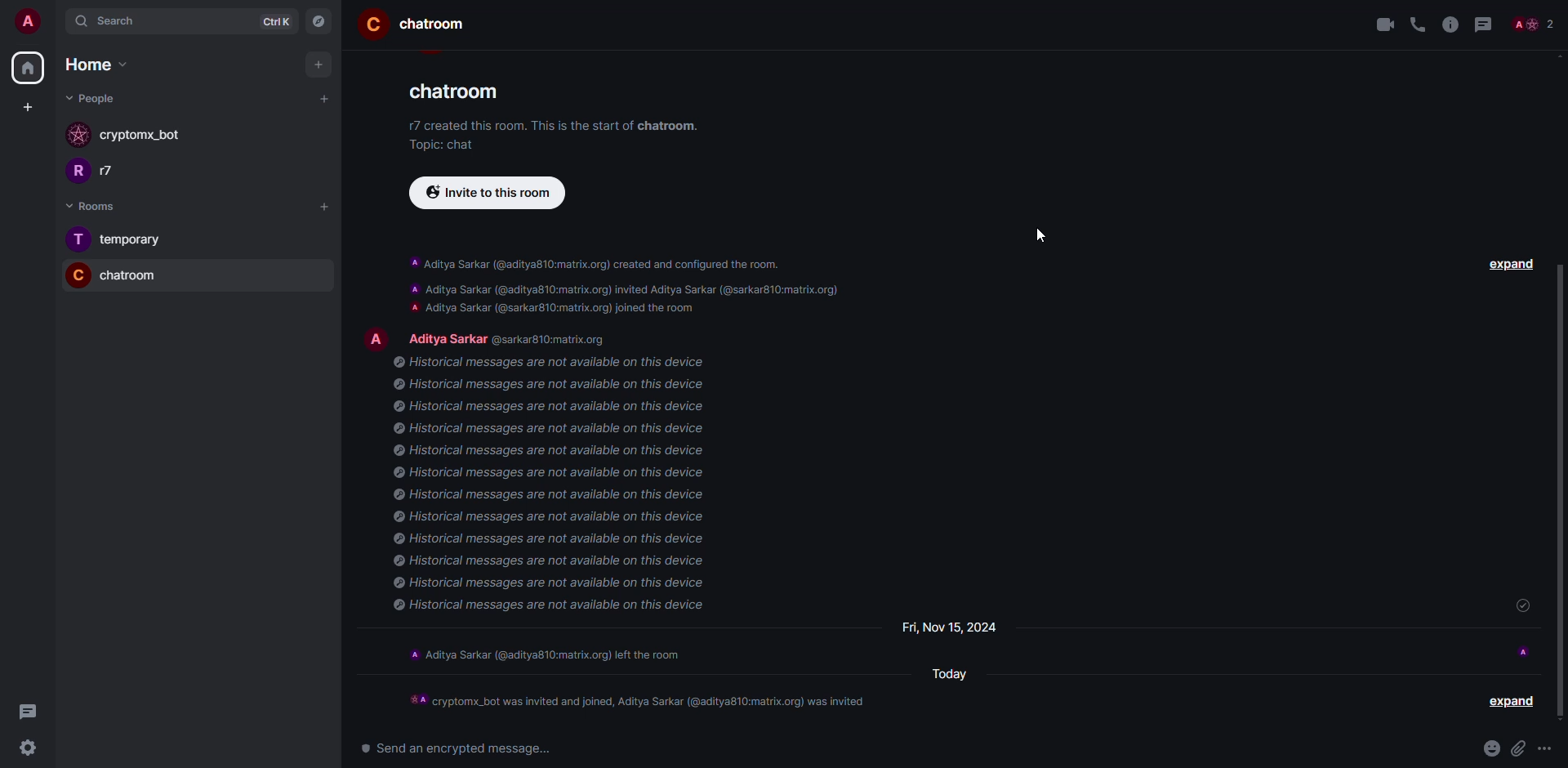 The height and width of the screenshot is (768, 1568). Describe the element at coordinates (372, 23) in the screenshot. I see `profile` at that location.